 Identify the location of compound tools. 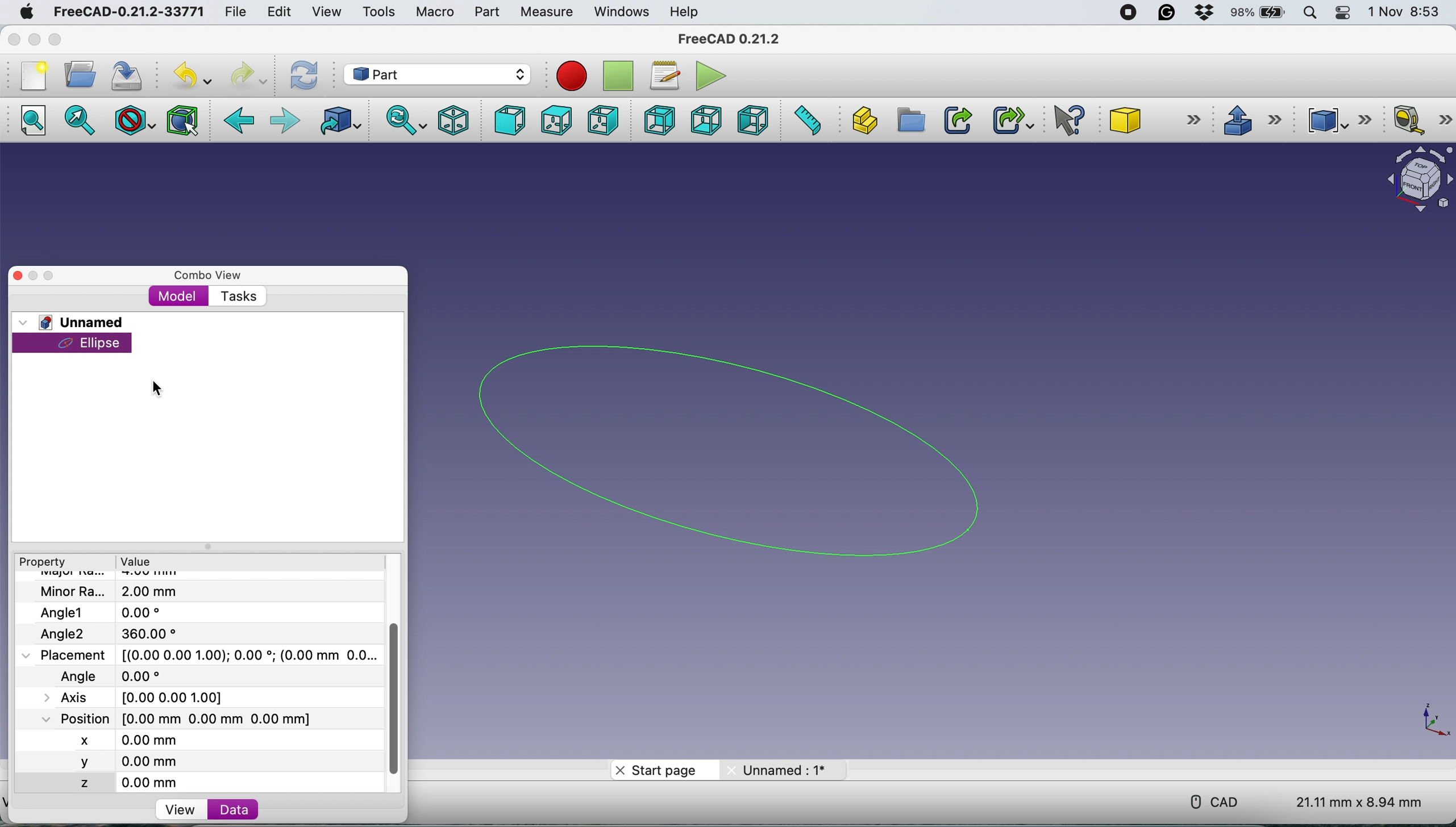
(1336, 120).